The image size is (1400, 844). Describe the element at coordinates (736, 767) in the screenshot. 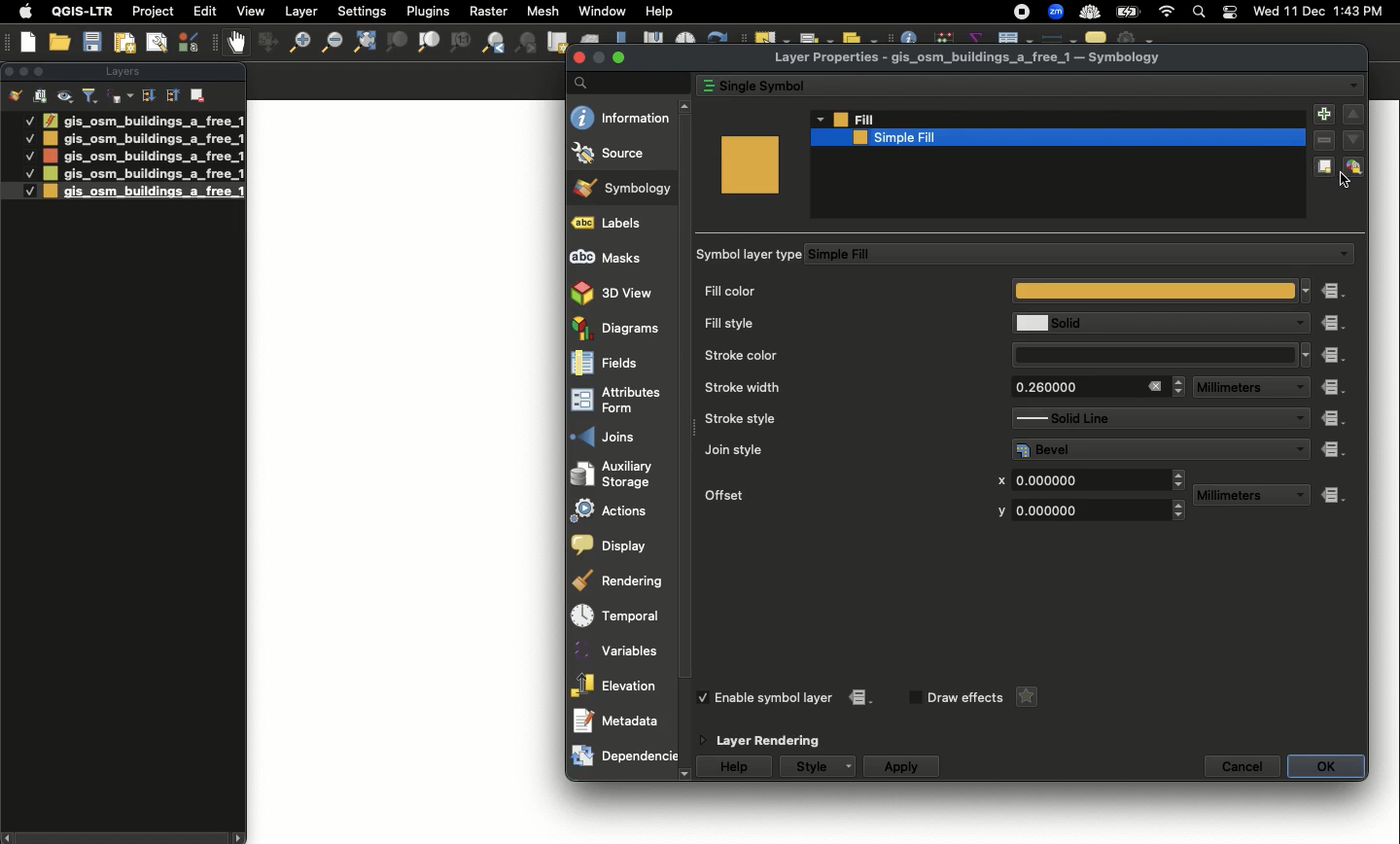

I see `Help` at that location.